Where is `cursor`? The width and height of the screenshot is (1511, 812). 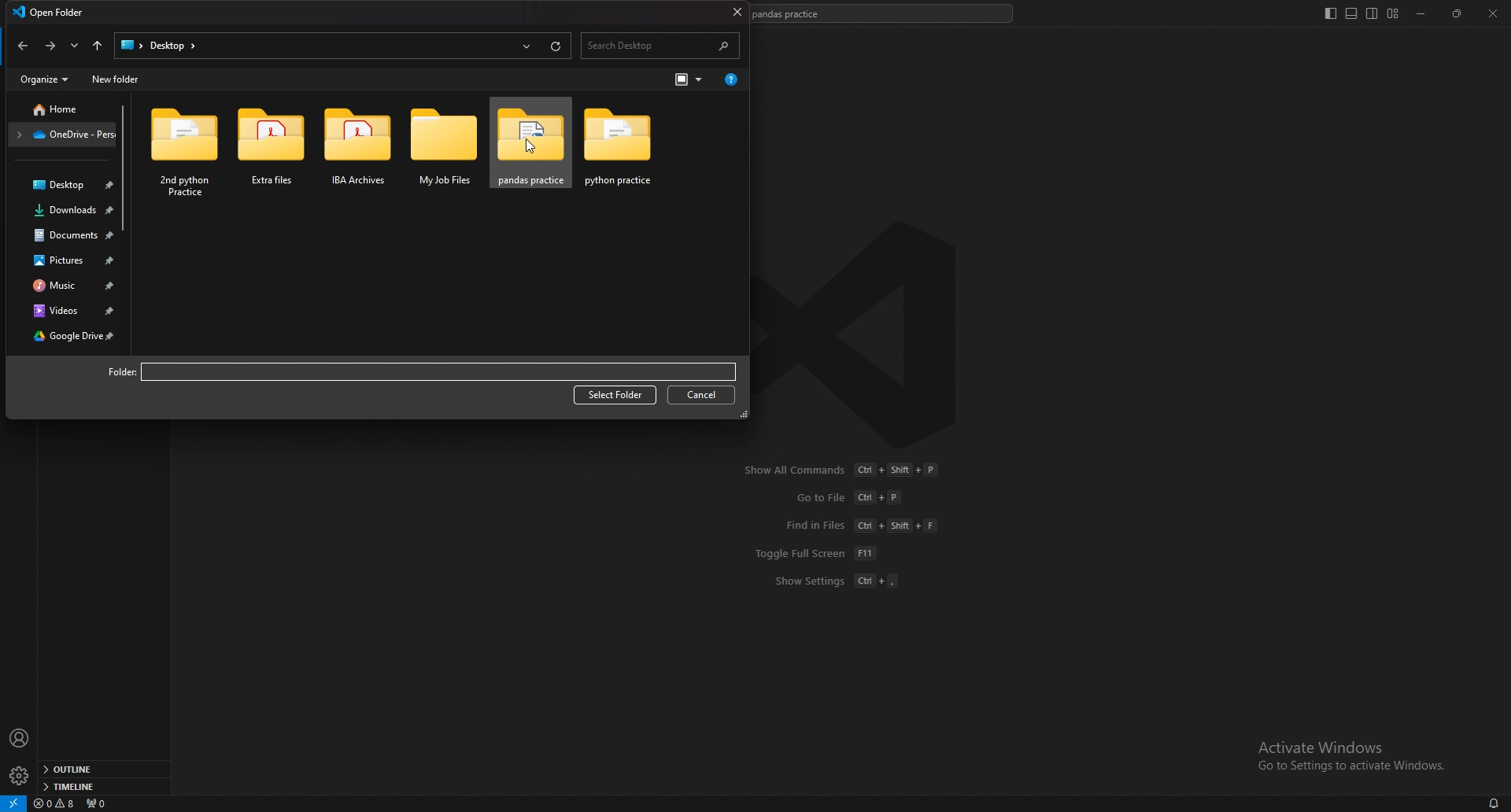 cursor is located at coordinates (529, 145).